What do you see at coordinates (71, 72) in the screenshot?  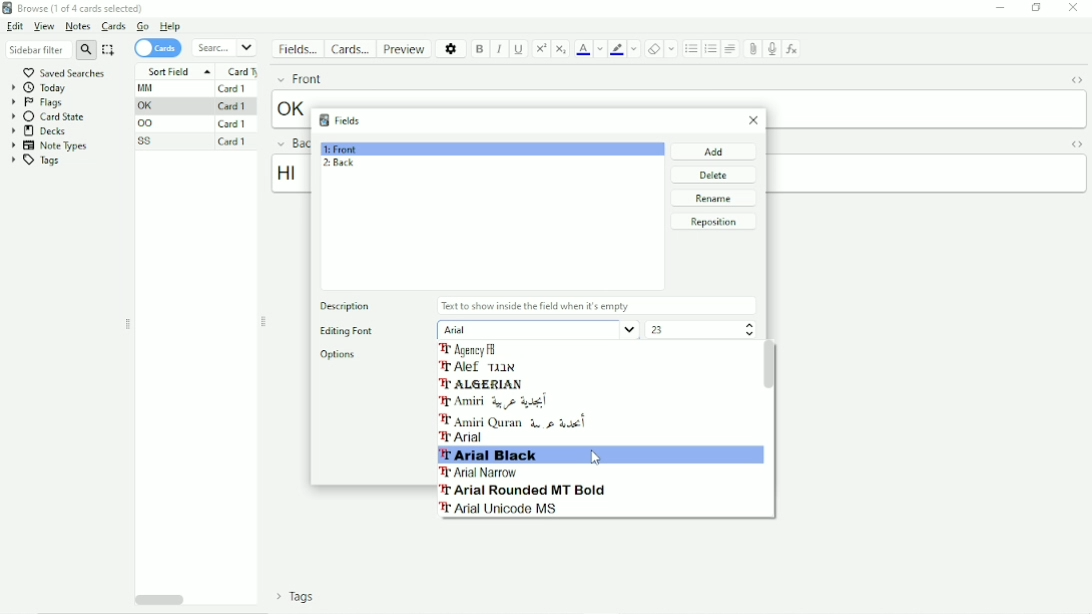 I see `Saved searches` at bounding box center [71, 72].